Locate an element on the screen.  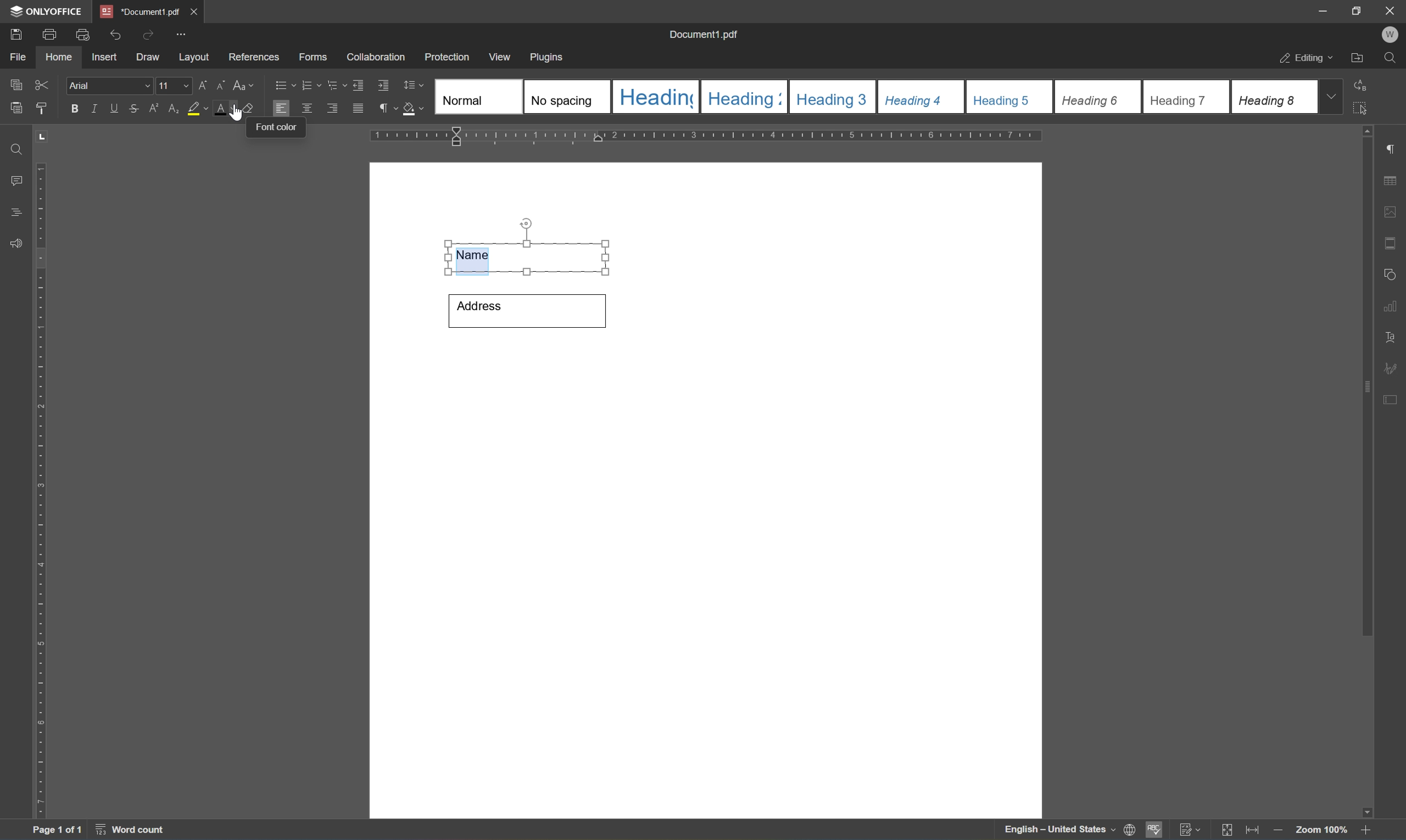
font color is located at coordinates (277, 127).